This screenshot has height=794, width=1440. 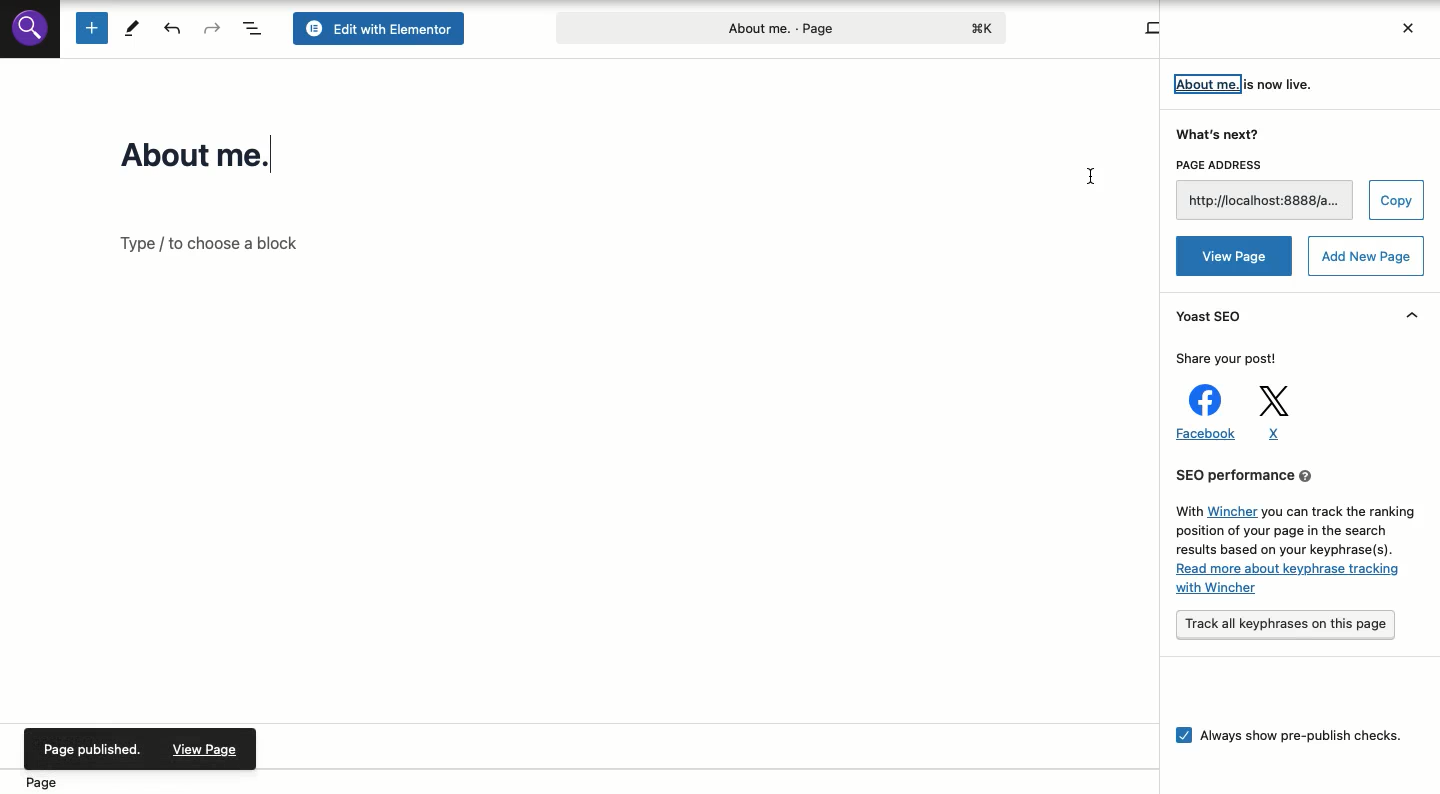 What do you see at coordinates (175, 28) in the screenshot?
I see `Undo` at bounding box center [175, 28].